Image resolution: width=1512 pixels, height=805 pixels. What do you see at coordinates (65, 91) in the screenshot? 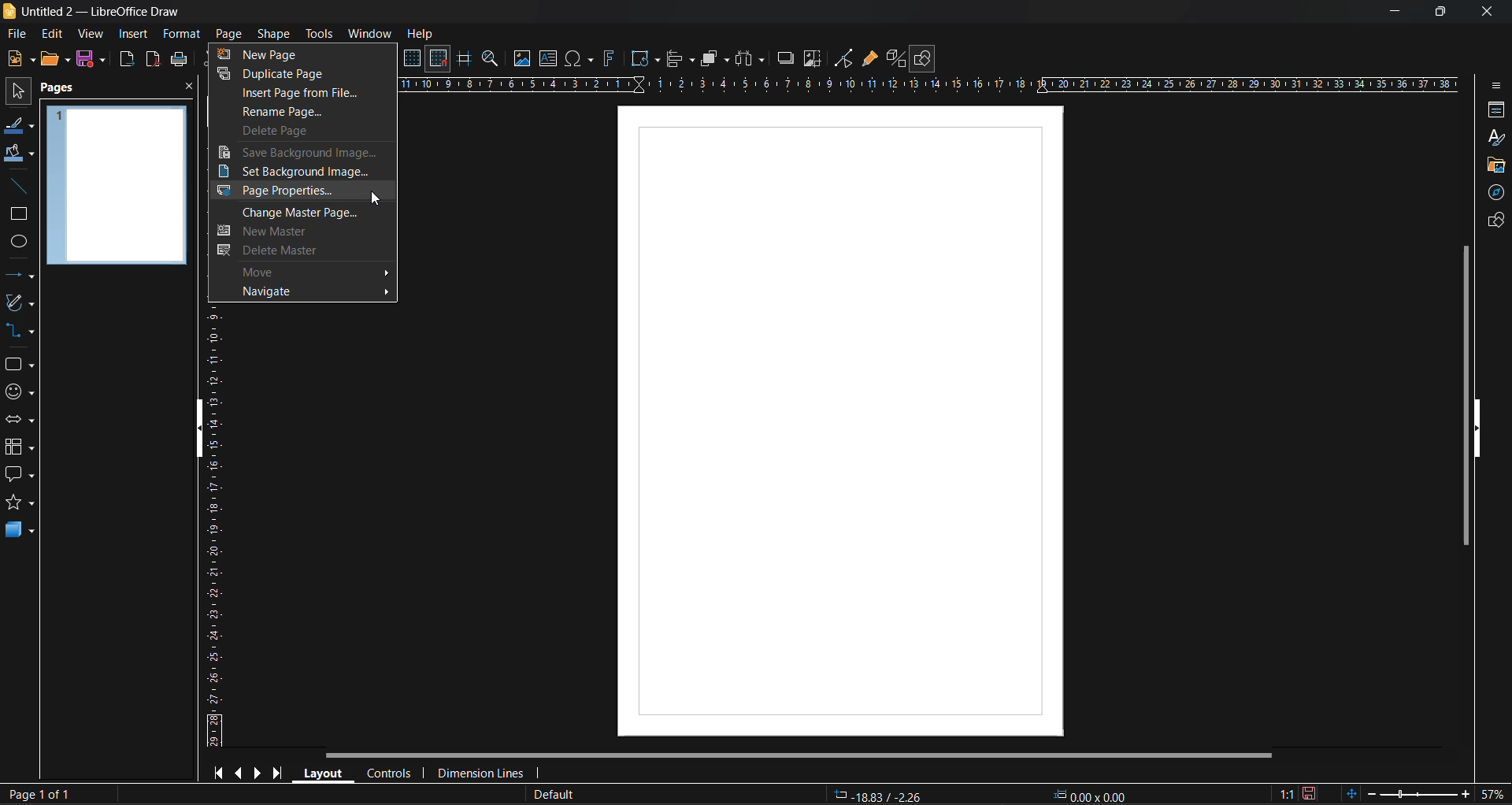
I see `pages` at bounding box center [65, 91].